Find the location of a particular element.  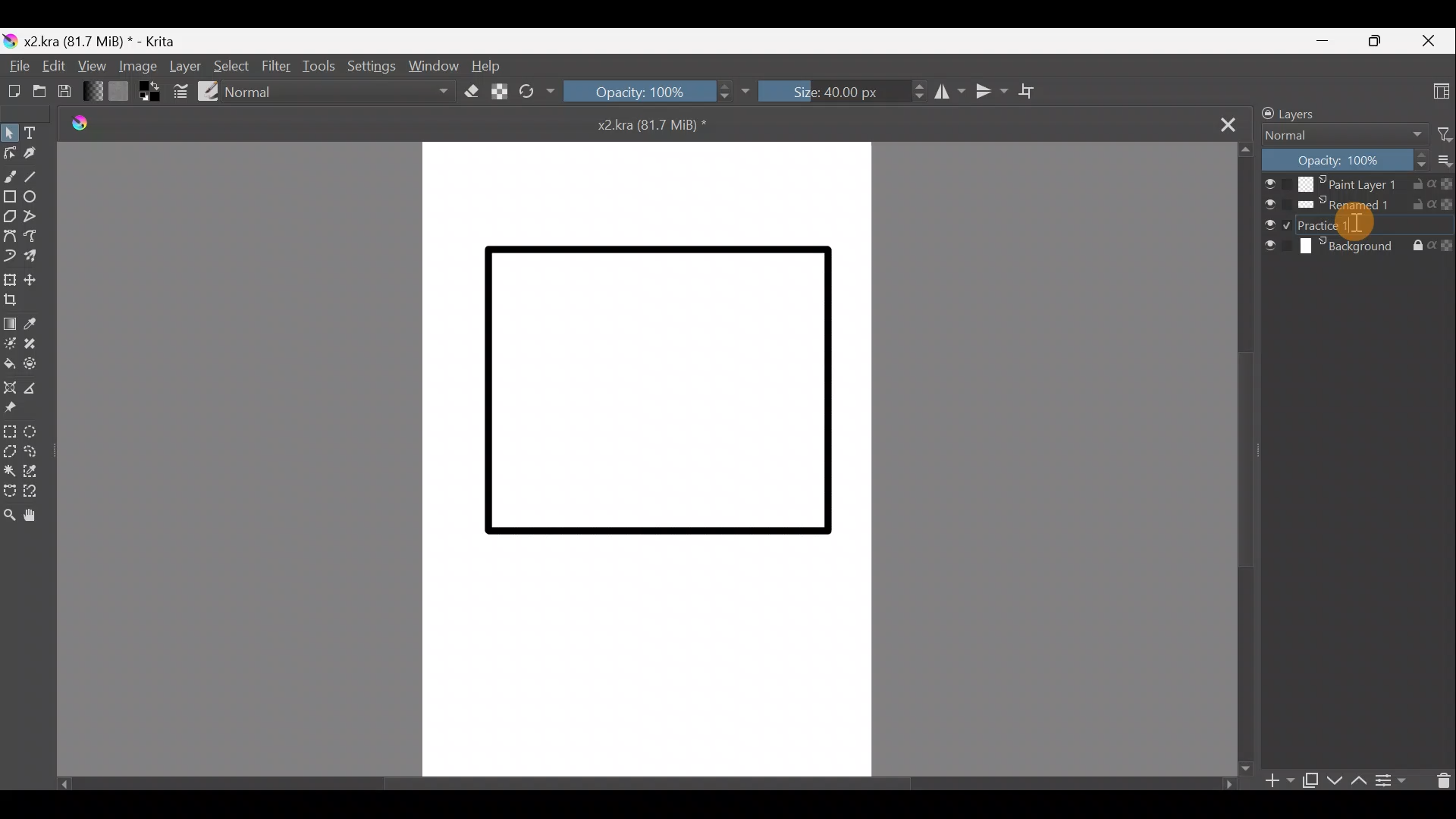

Polyline tool is located at coordinates (37, 218).